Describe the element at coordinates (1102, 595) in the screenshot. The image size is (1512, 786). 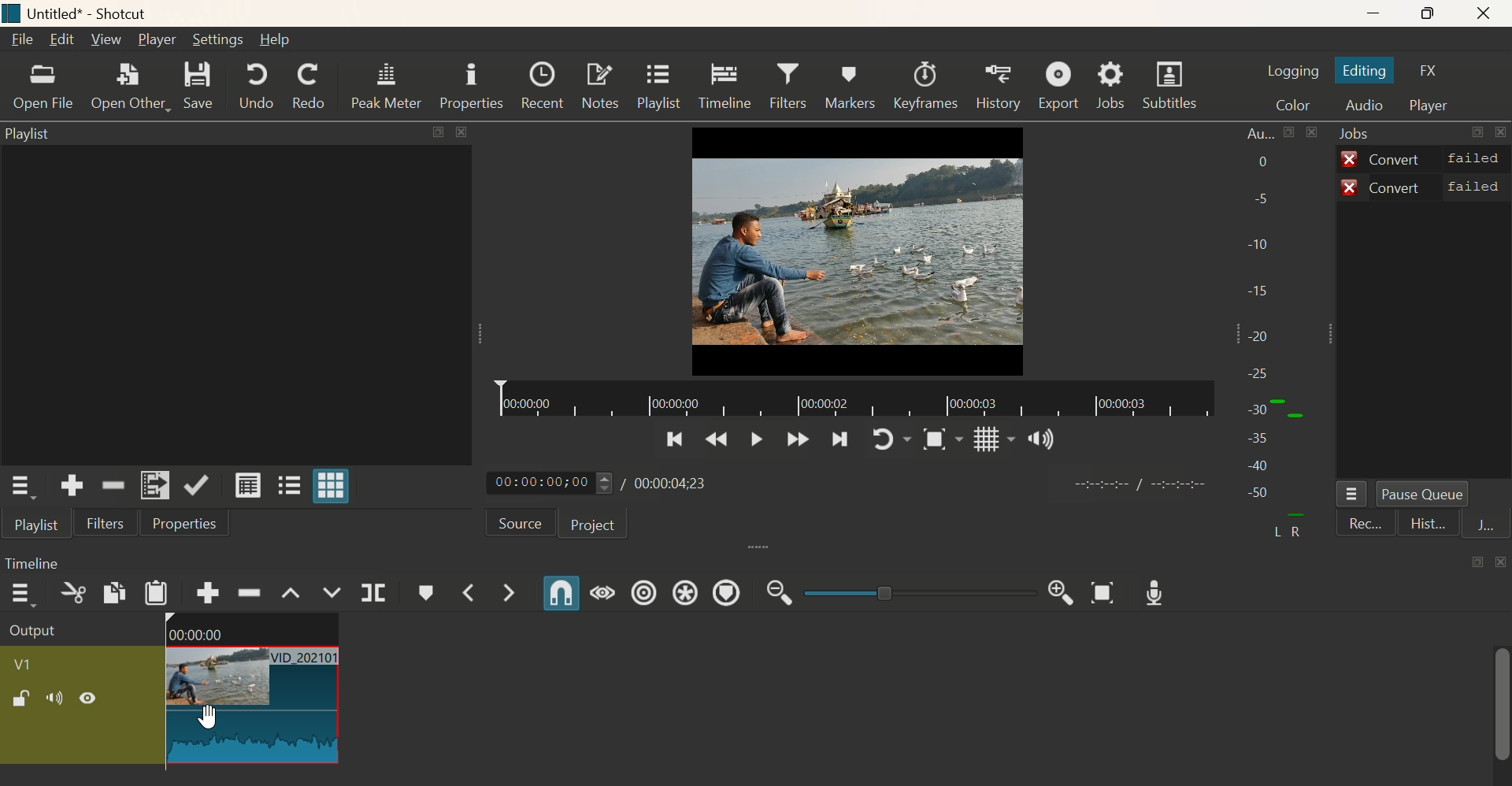
I see `` at that location.